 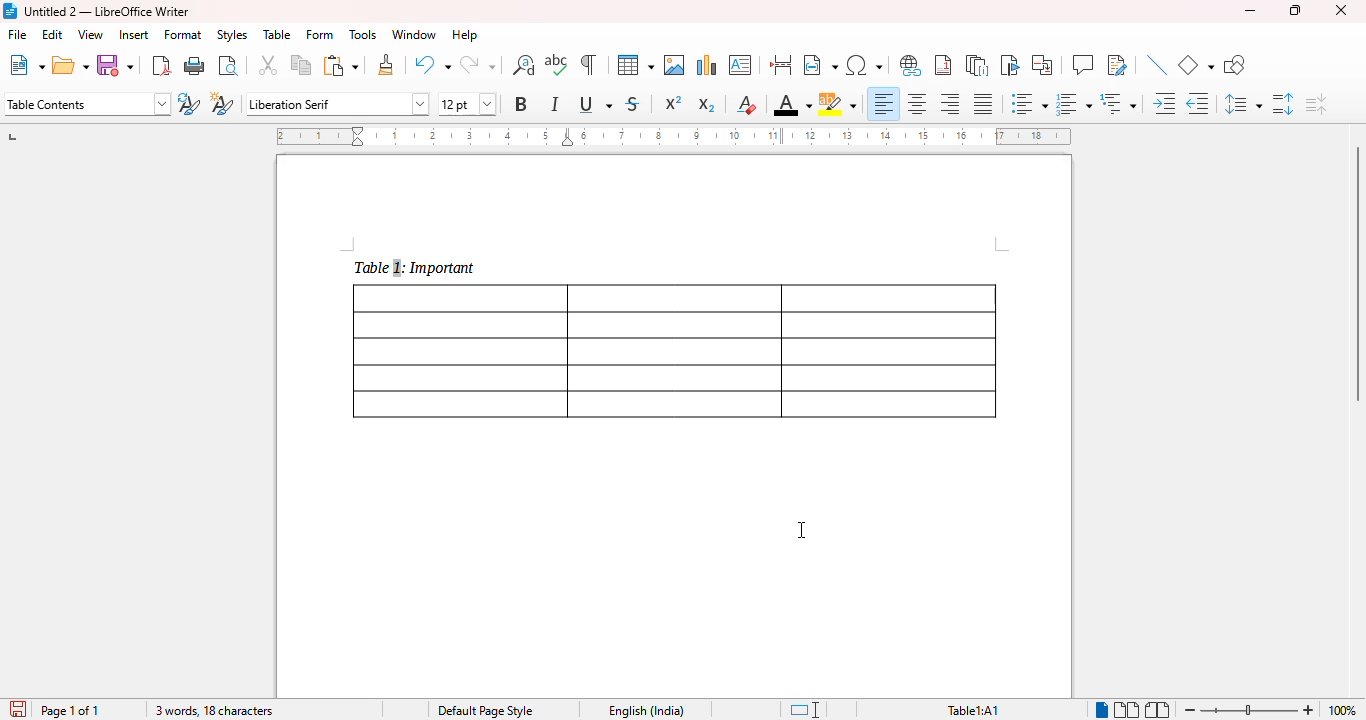 I want to click on show draw functions, so click(x=1235, y=64).